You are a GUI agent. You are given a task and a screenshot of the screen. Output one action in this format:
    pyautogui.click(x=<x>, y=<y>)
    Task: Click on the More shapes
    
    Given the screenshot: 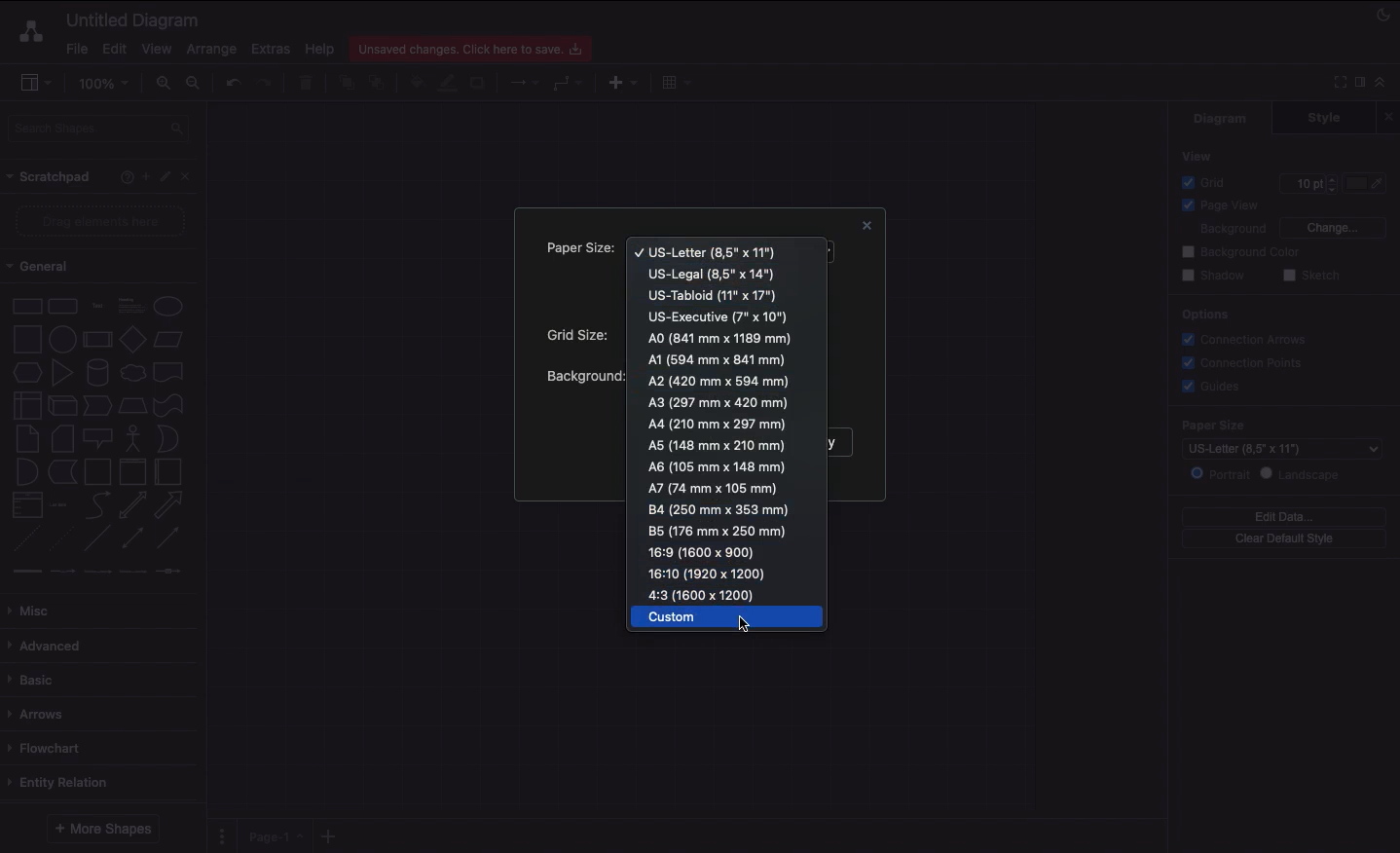 What is the action you would take?
    pyautogui.click(x=101, y=829)
    